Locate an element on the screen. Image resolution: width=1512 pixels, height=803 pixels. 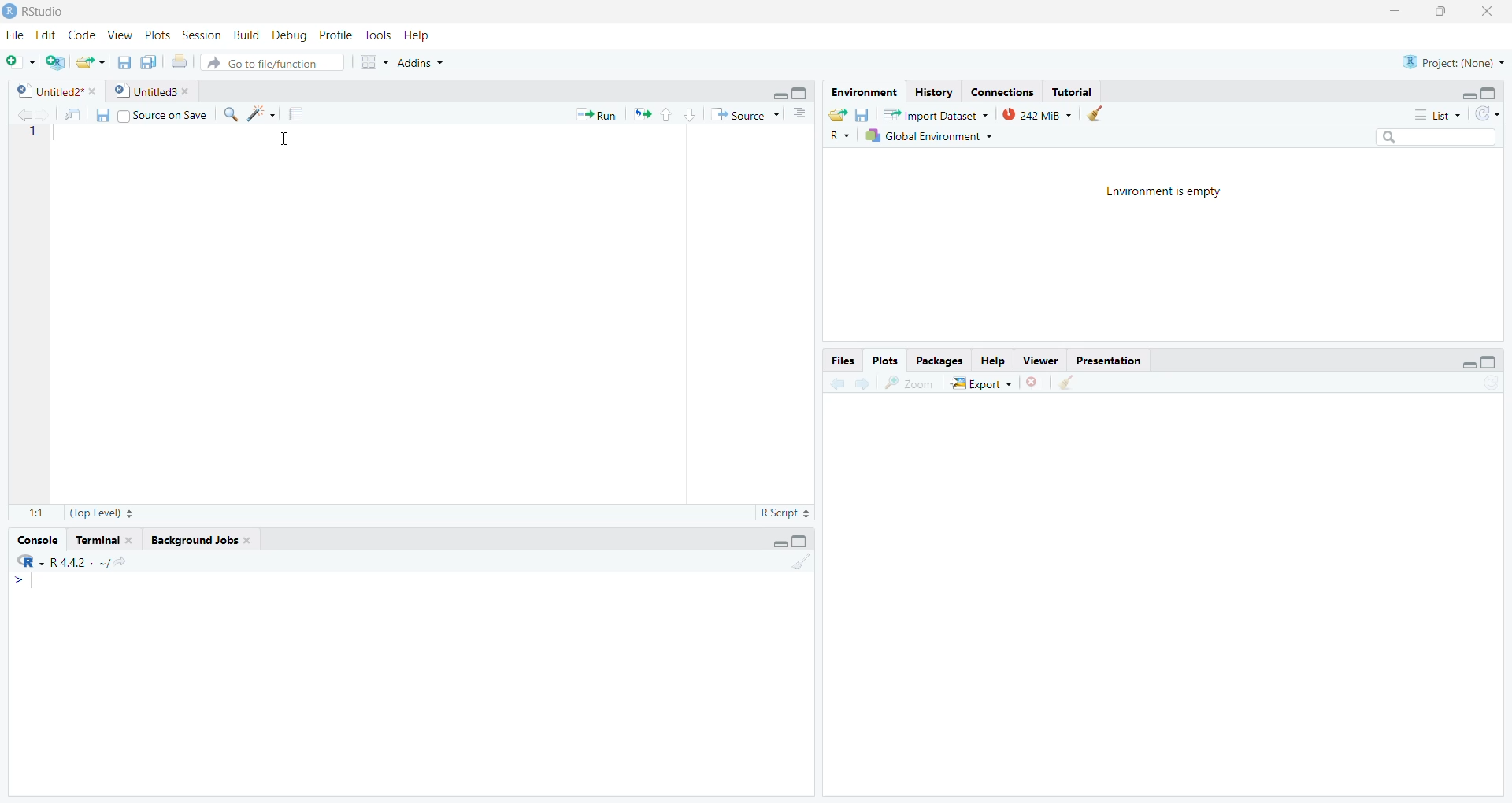
minimize is located at coordinates (777, 545).